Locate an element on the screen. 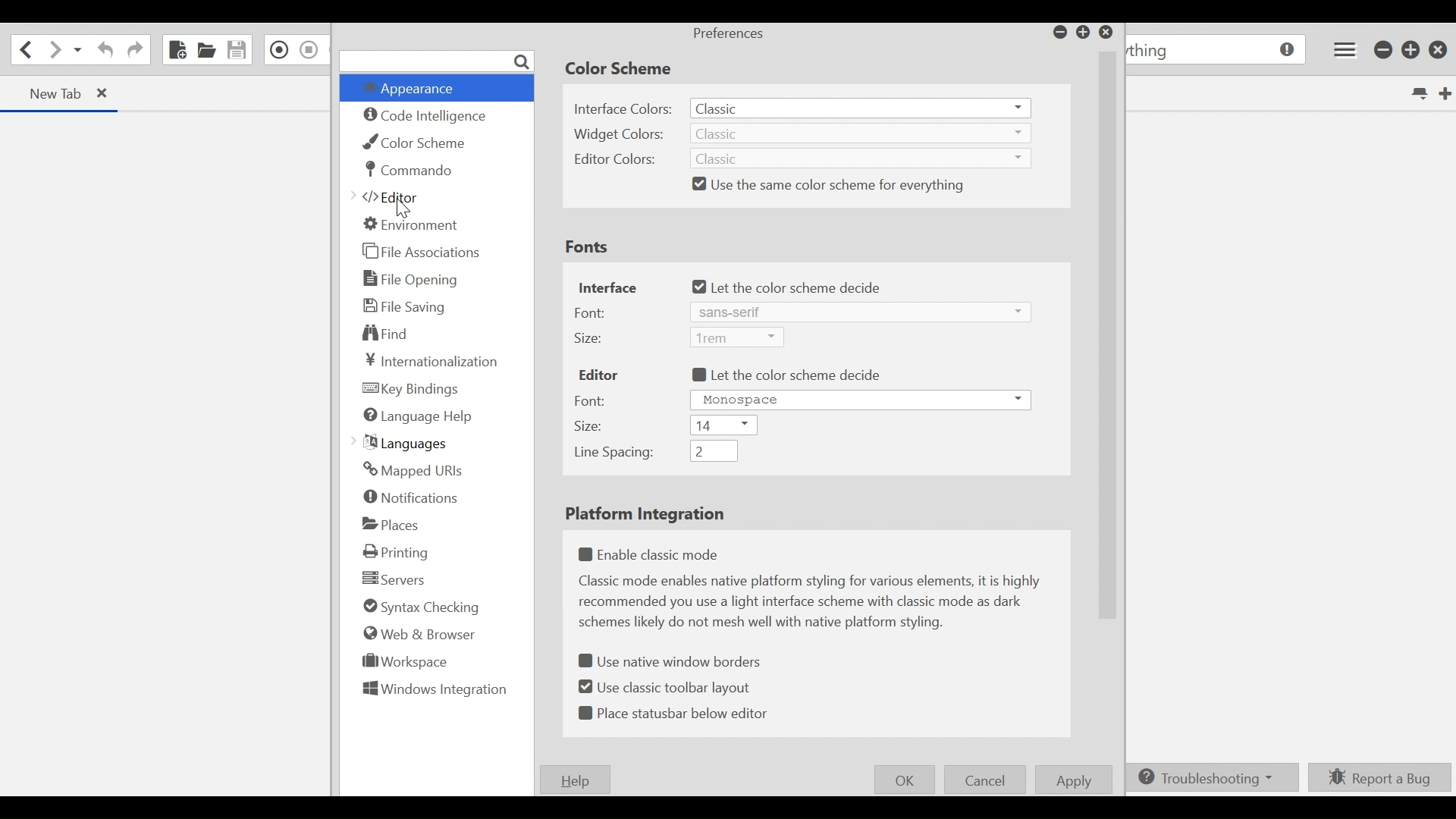  (un)select Enable classic mode is located at coordinates (808, 595).